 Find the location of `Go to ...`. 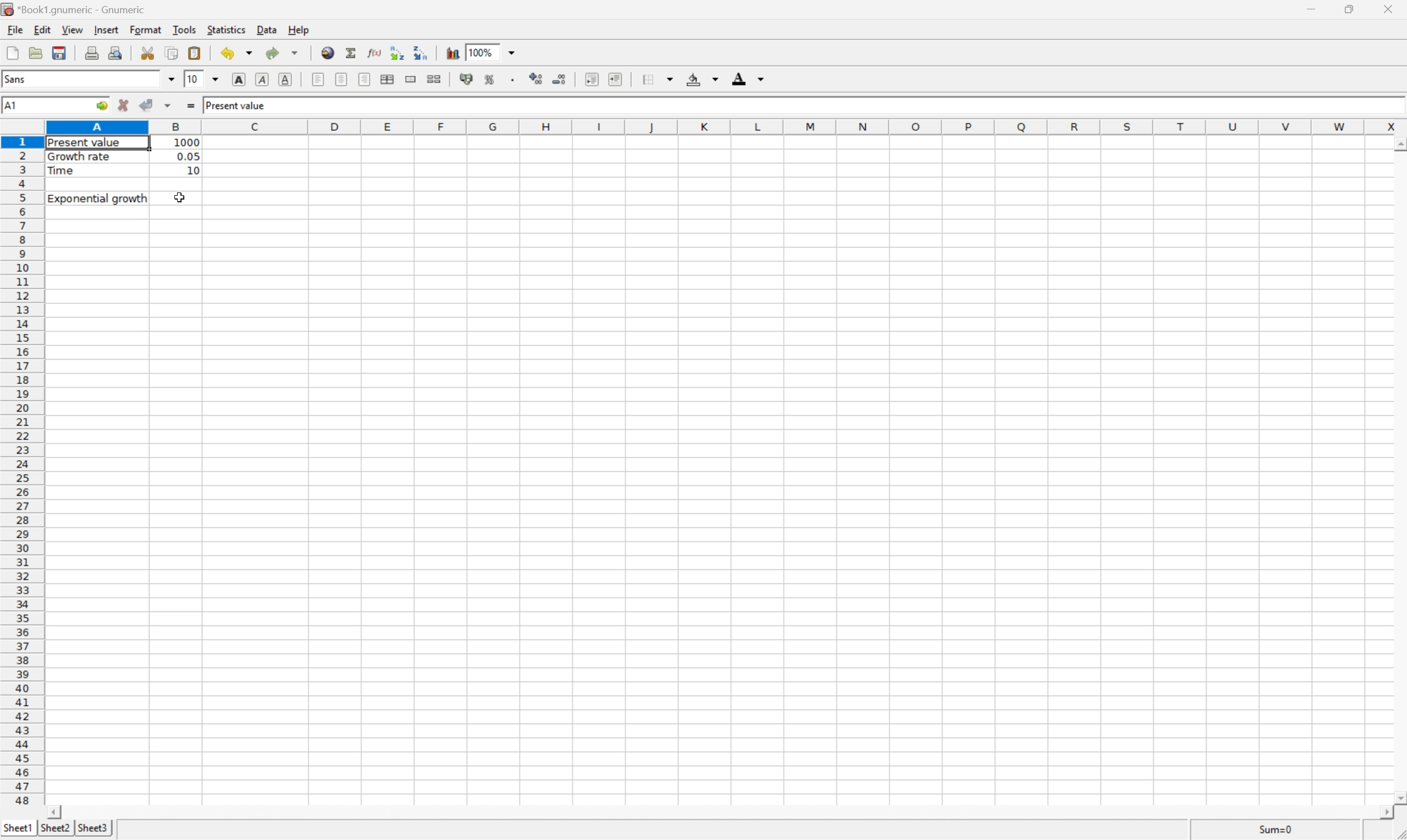

Go to ... is located at coordinates (101, 105).